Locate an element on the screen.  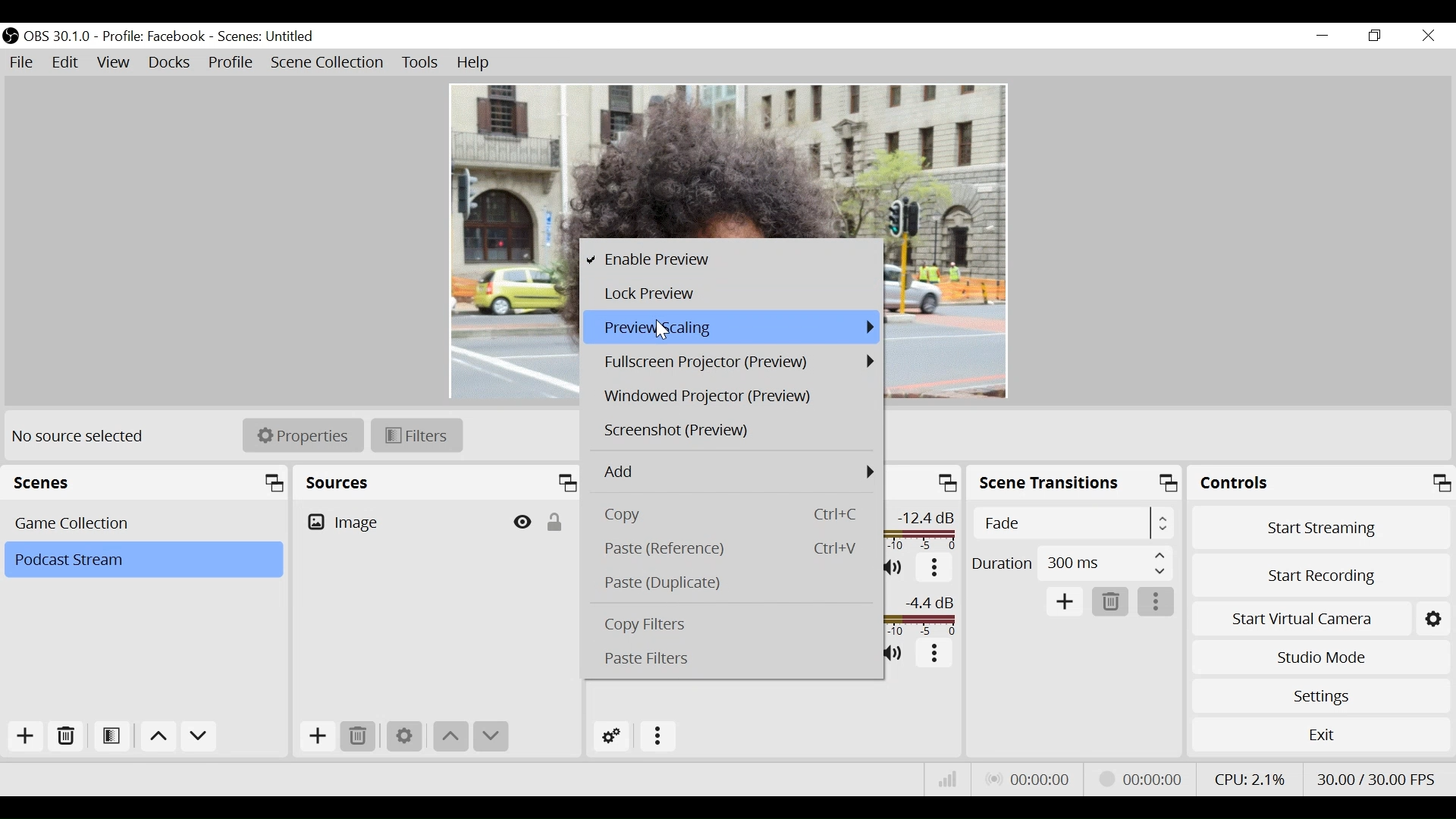
Advanced Audio Settings is located at coordinates (613, 739).